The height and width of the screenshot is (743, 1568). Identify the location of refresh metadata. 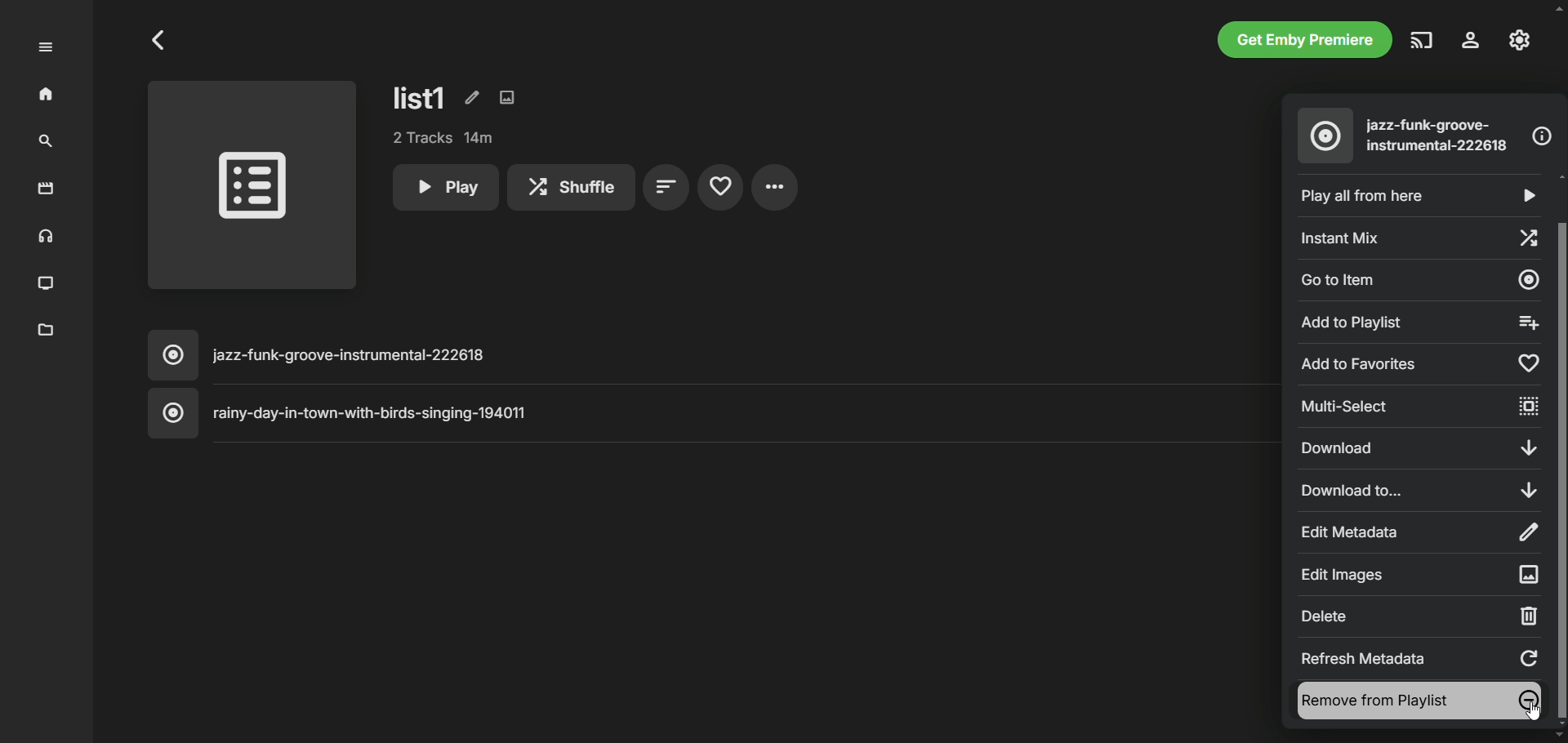
(1421, 657).